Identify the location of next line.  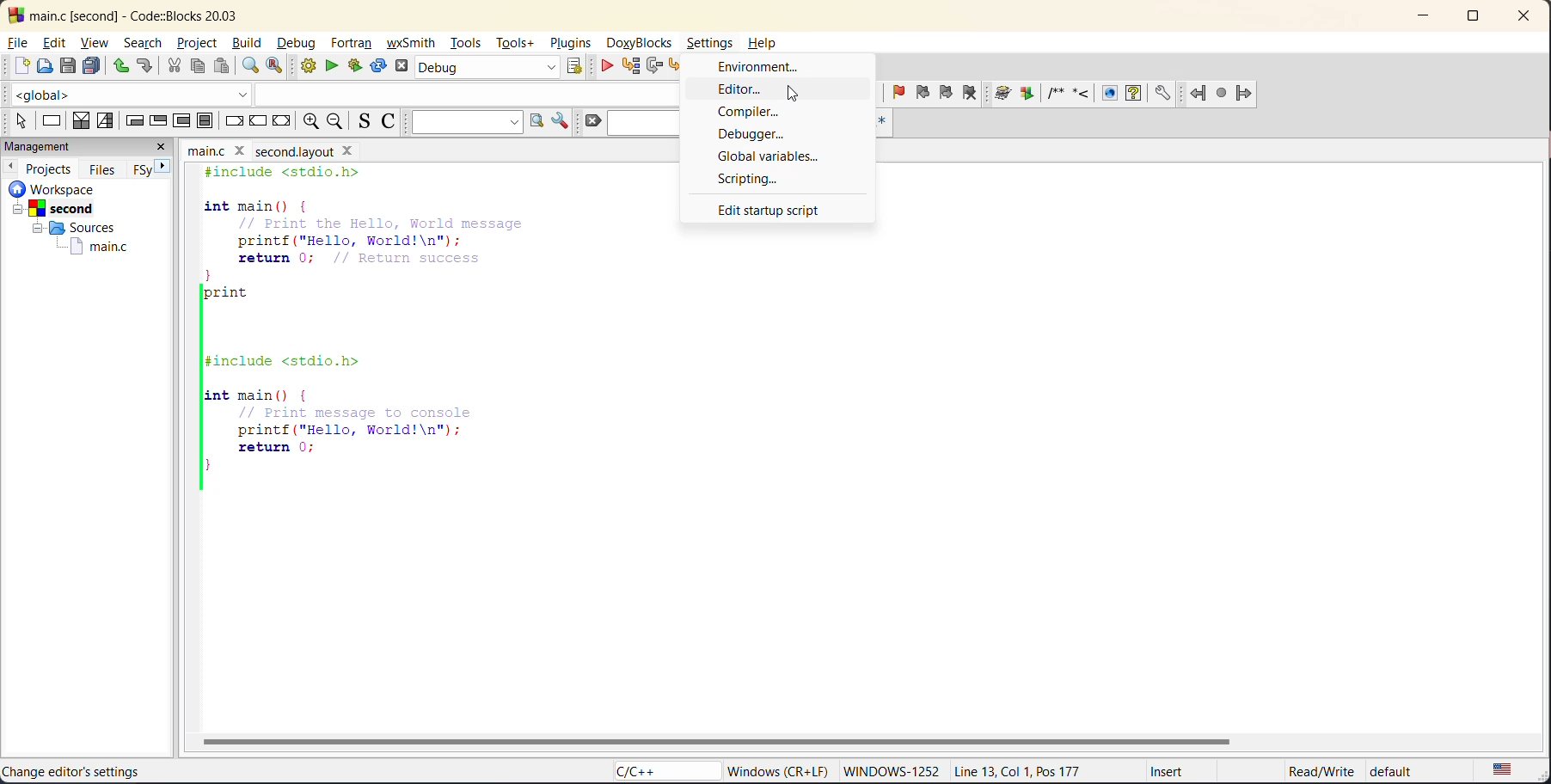
(653, 66).